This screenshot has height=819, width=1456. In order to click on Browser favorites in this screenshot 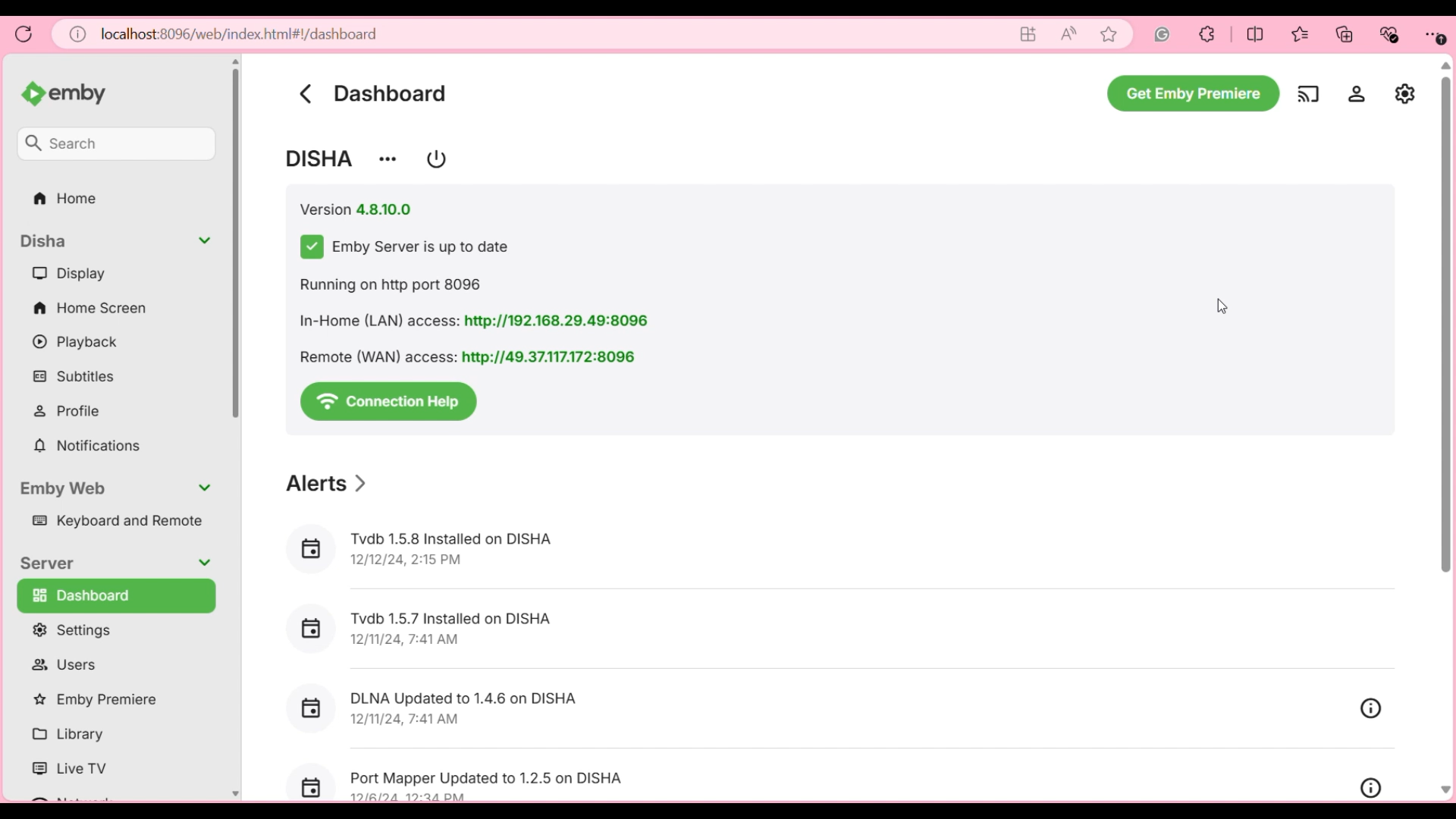, I will do `click(1301, 34)`.